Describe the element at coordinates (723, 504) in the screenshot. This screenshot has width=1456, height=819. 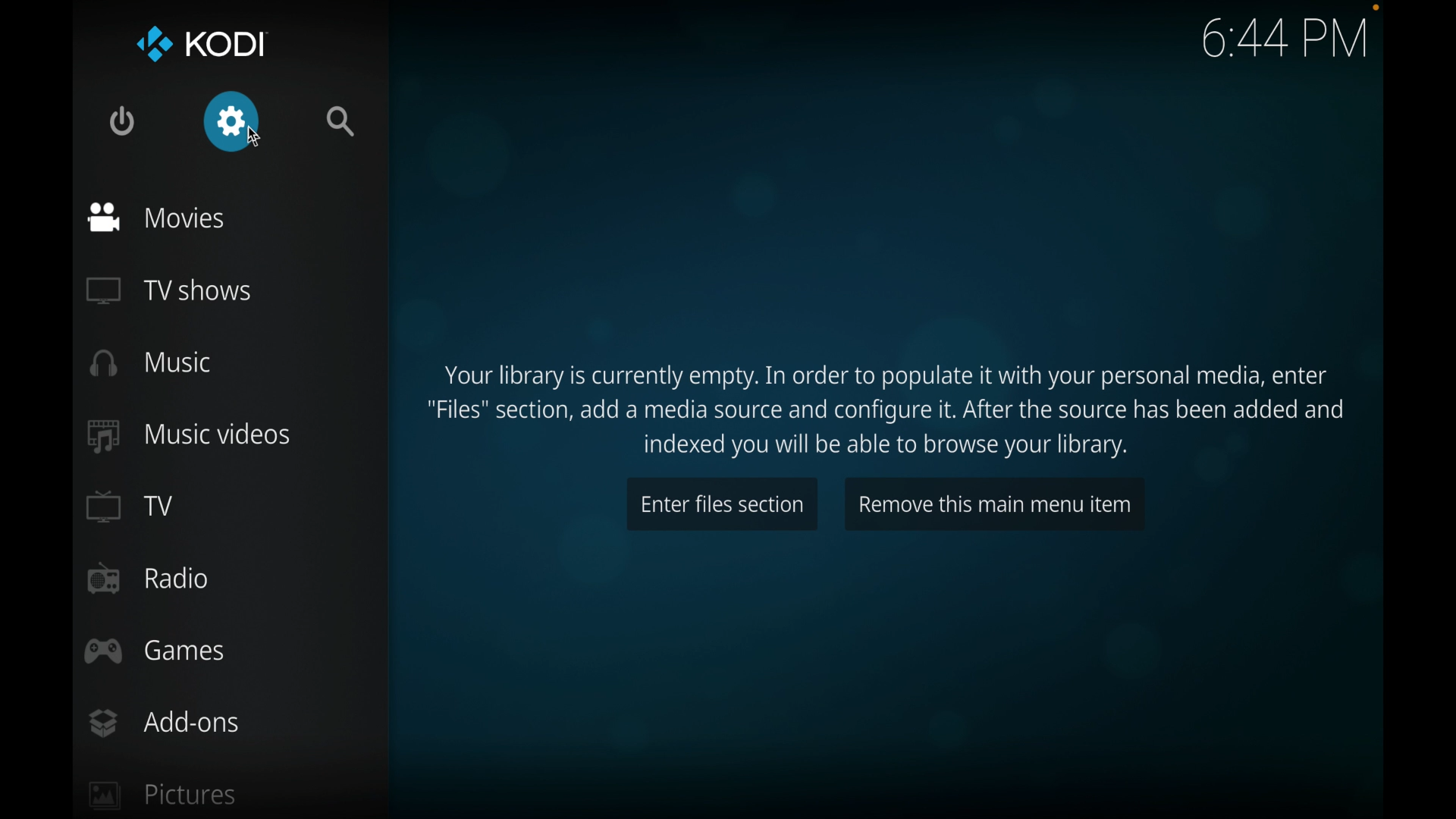
I see `enter files section` at that location.